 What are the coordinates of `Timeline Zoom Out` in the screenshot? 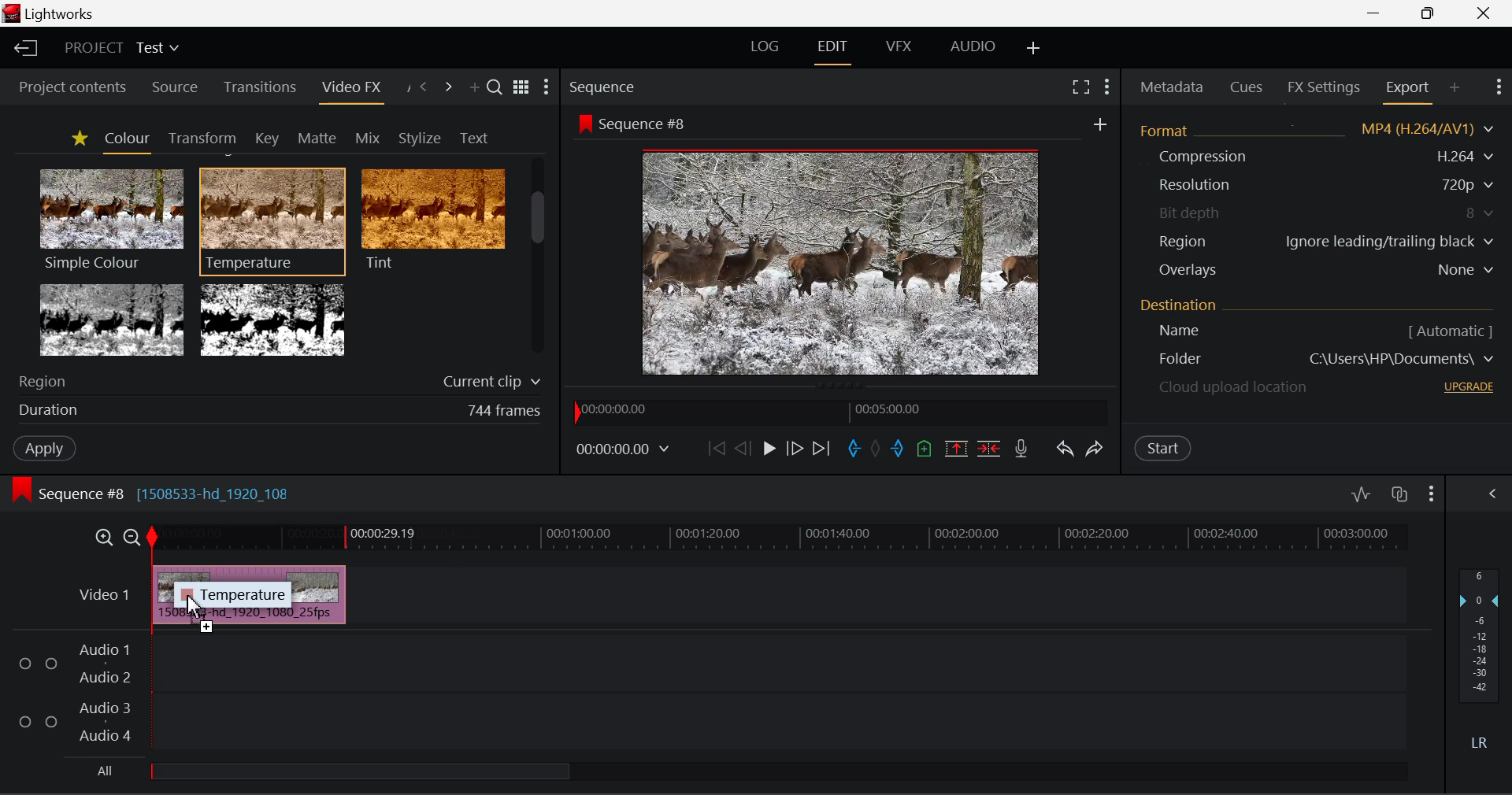 It's located at (134, 537).